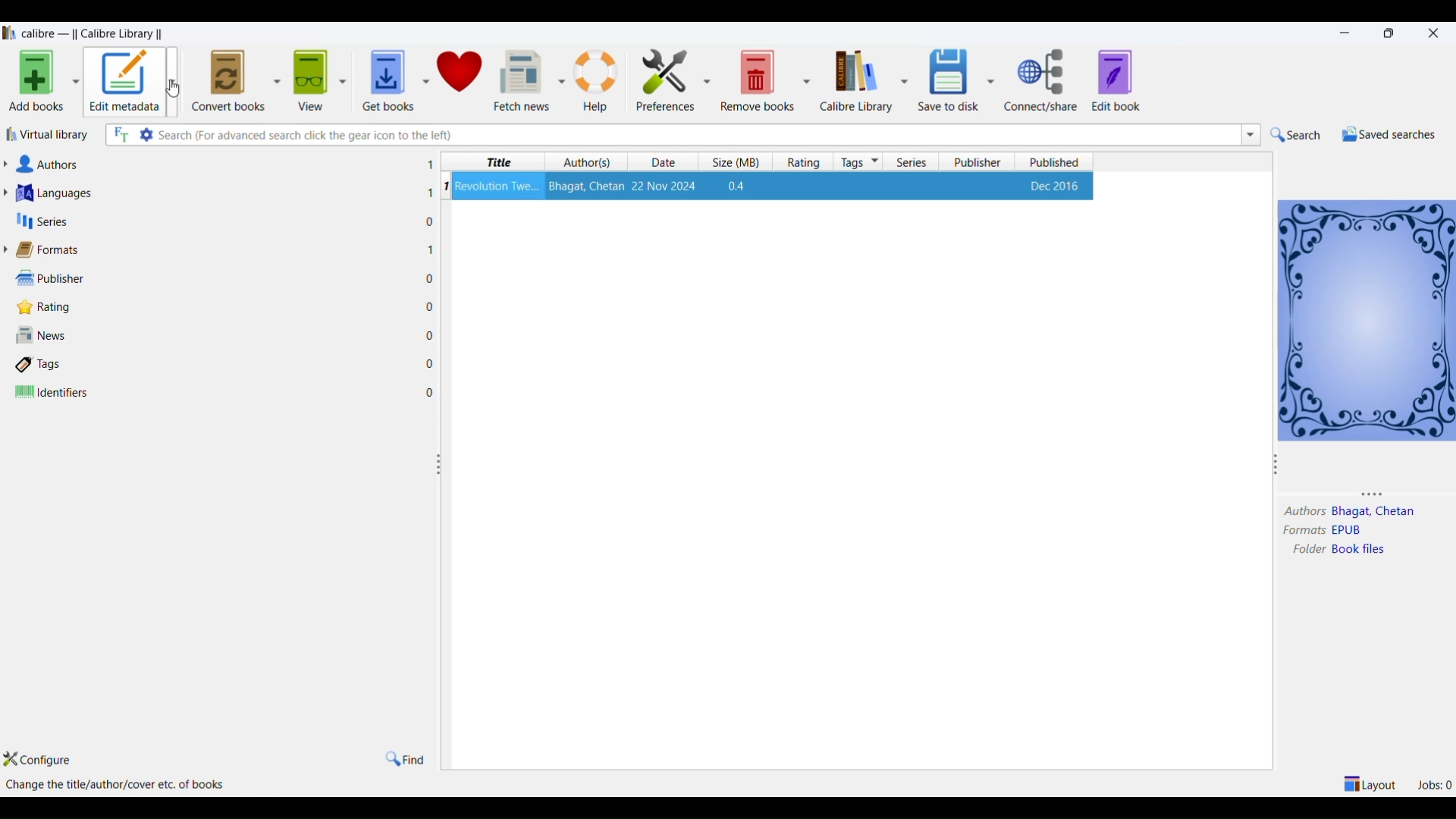 This screenshot has height=819, width=1456. I want to click on help, so click(598, 79).